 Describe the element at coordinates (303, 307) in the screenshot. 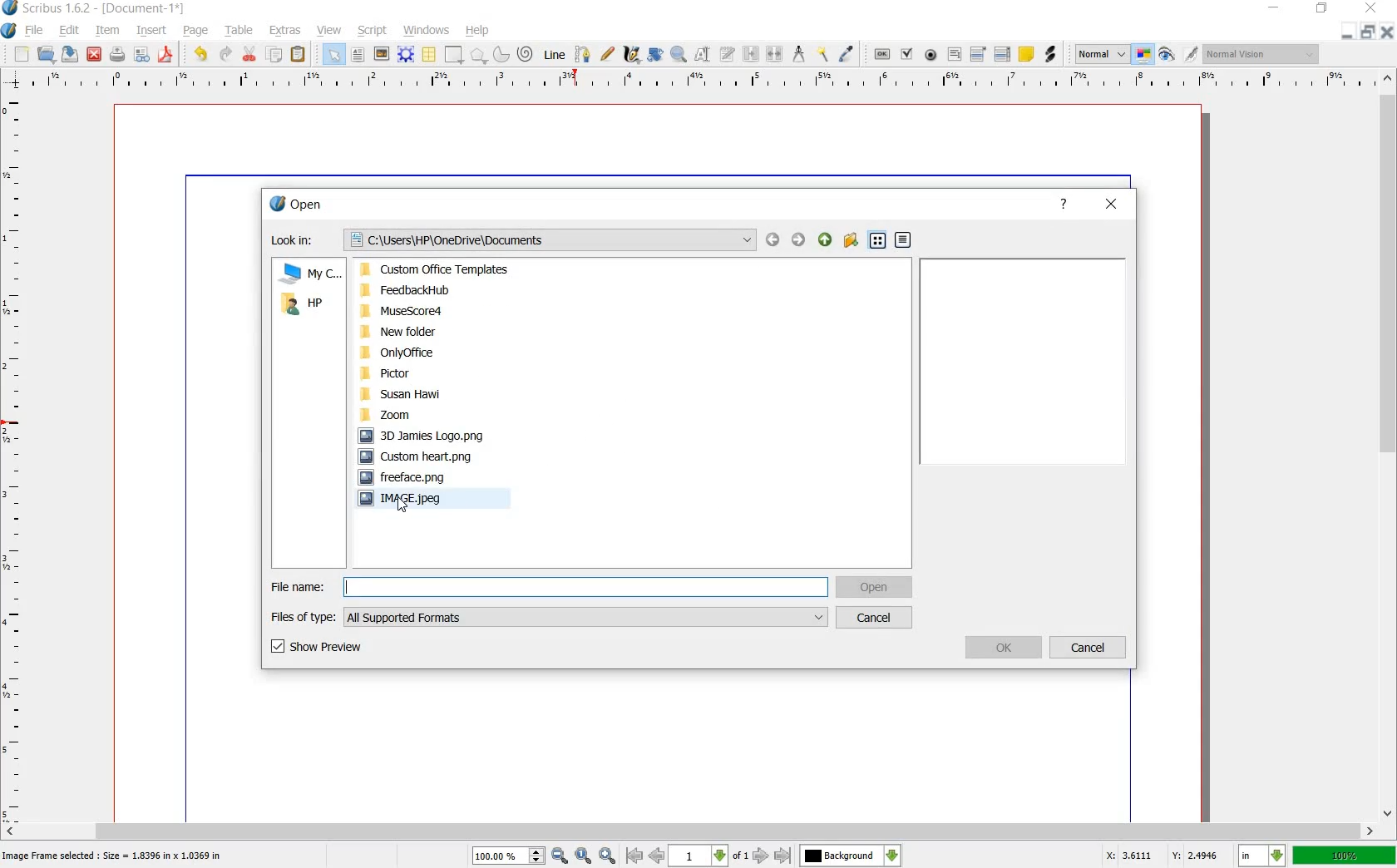

I see `HP` at that location.